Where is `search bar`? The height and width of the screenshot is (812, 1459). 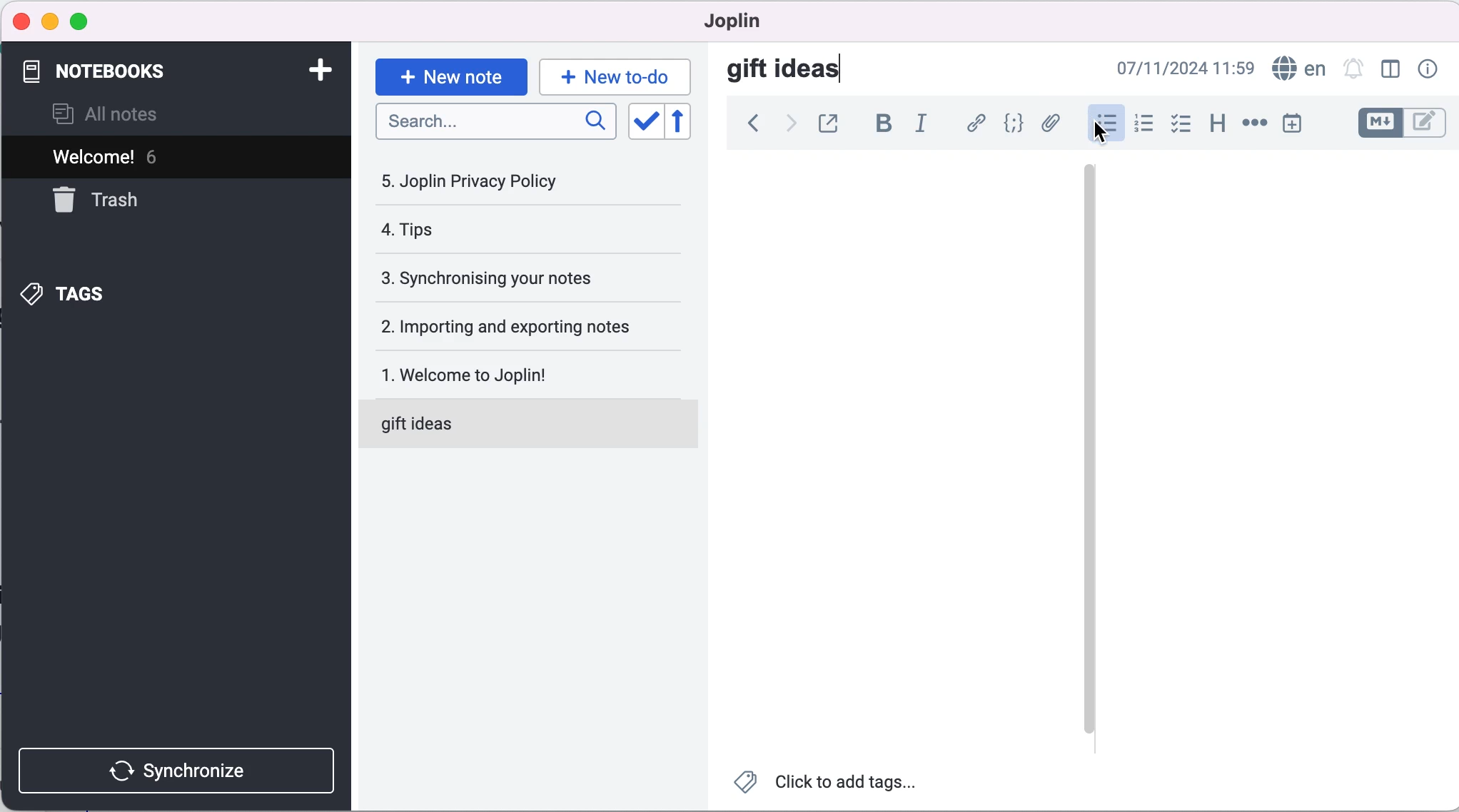 search bar is located at coordinates (493, 123).